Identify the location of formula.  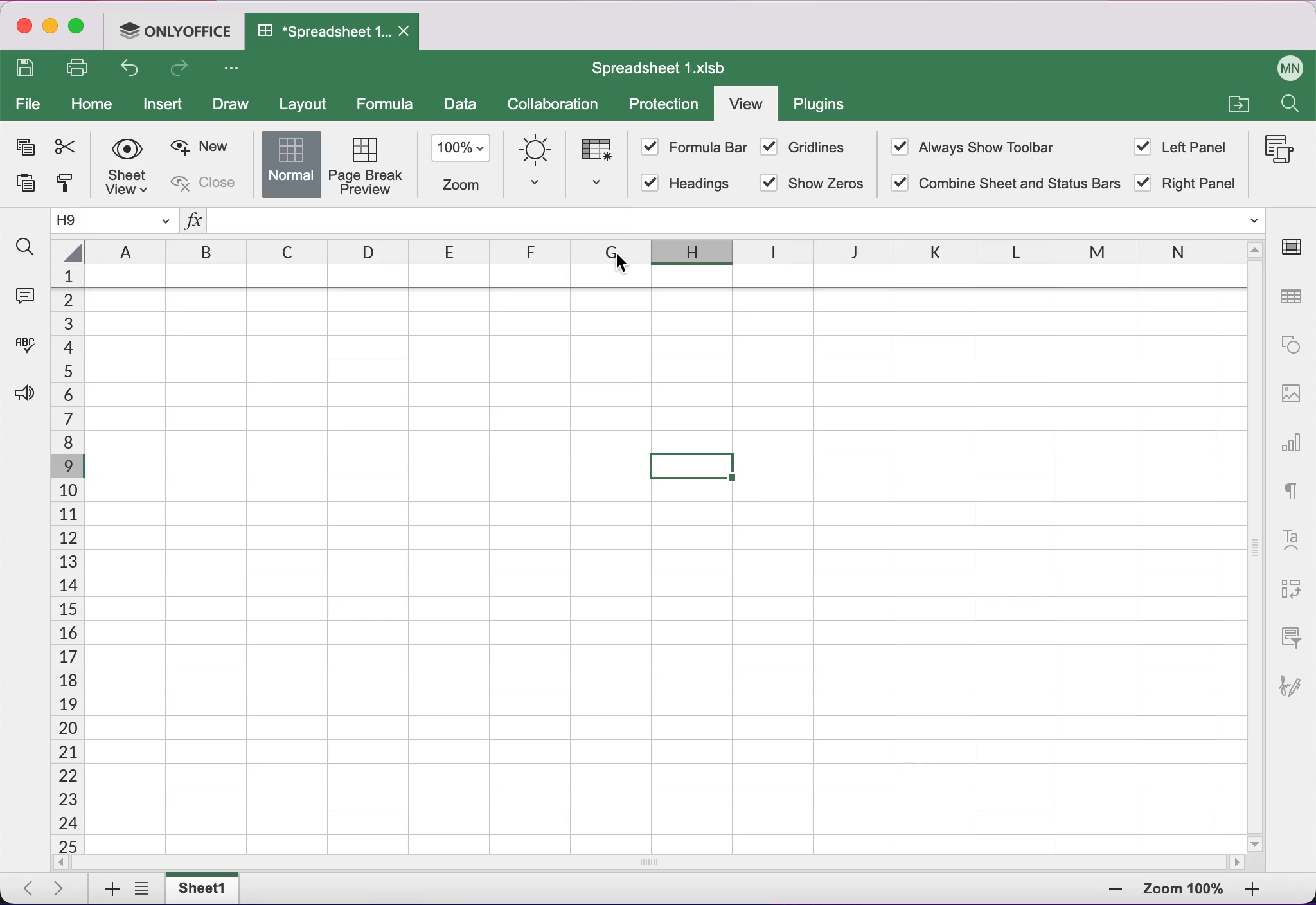
(386, 103).